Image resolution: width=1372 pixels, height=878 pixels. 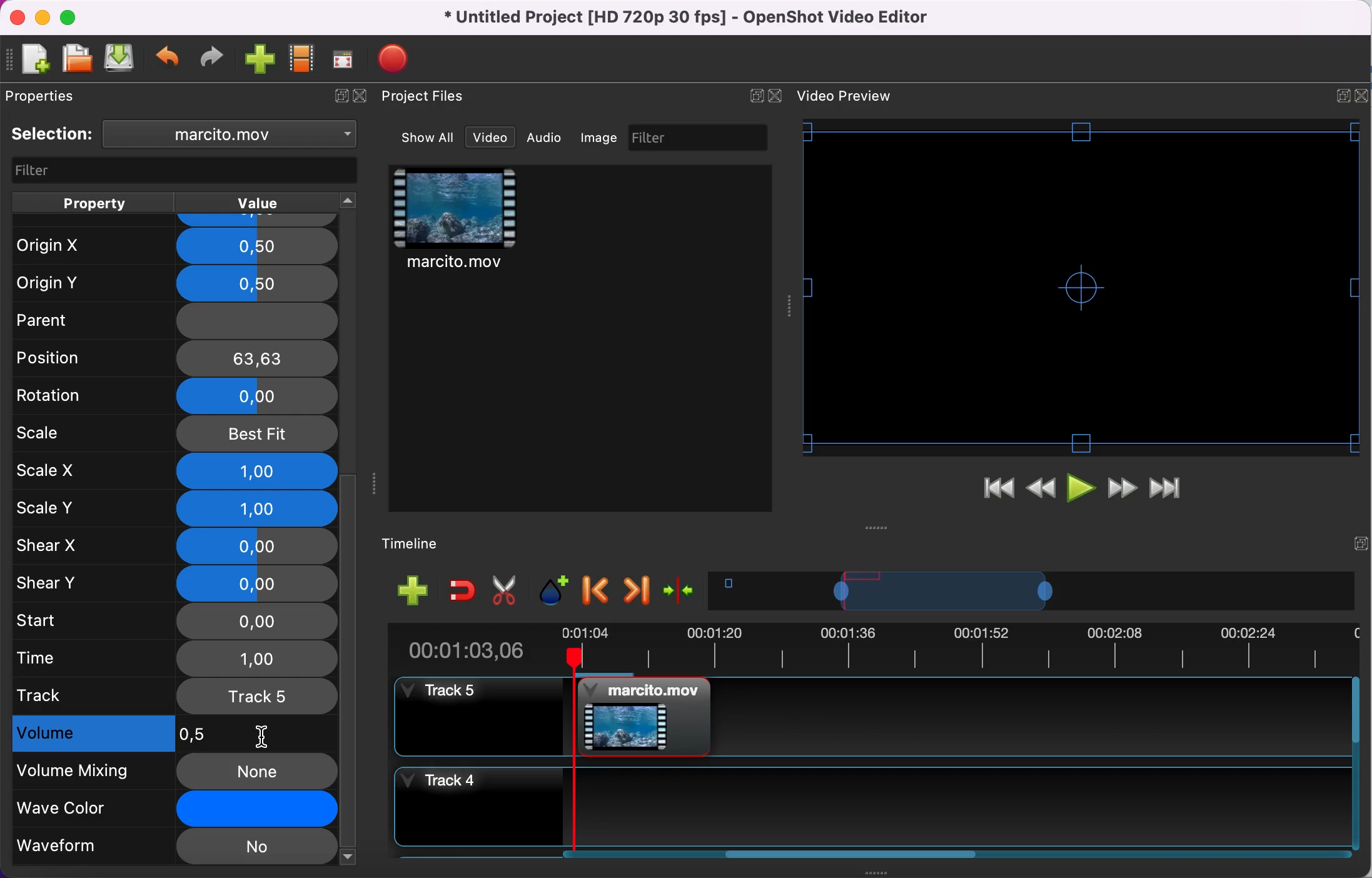 I want to click on rotation 0, so click(x=175, y=398).